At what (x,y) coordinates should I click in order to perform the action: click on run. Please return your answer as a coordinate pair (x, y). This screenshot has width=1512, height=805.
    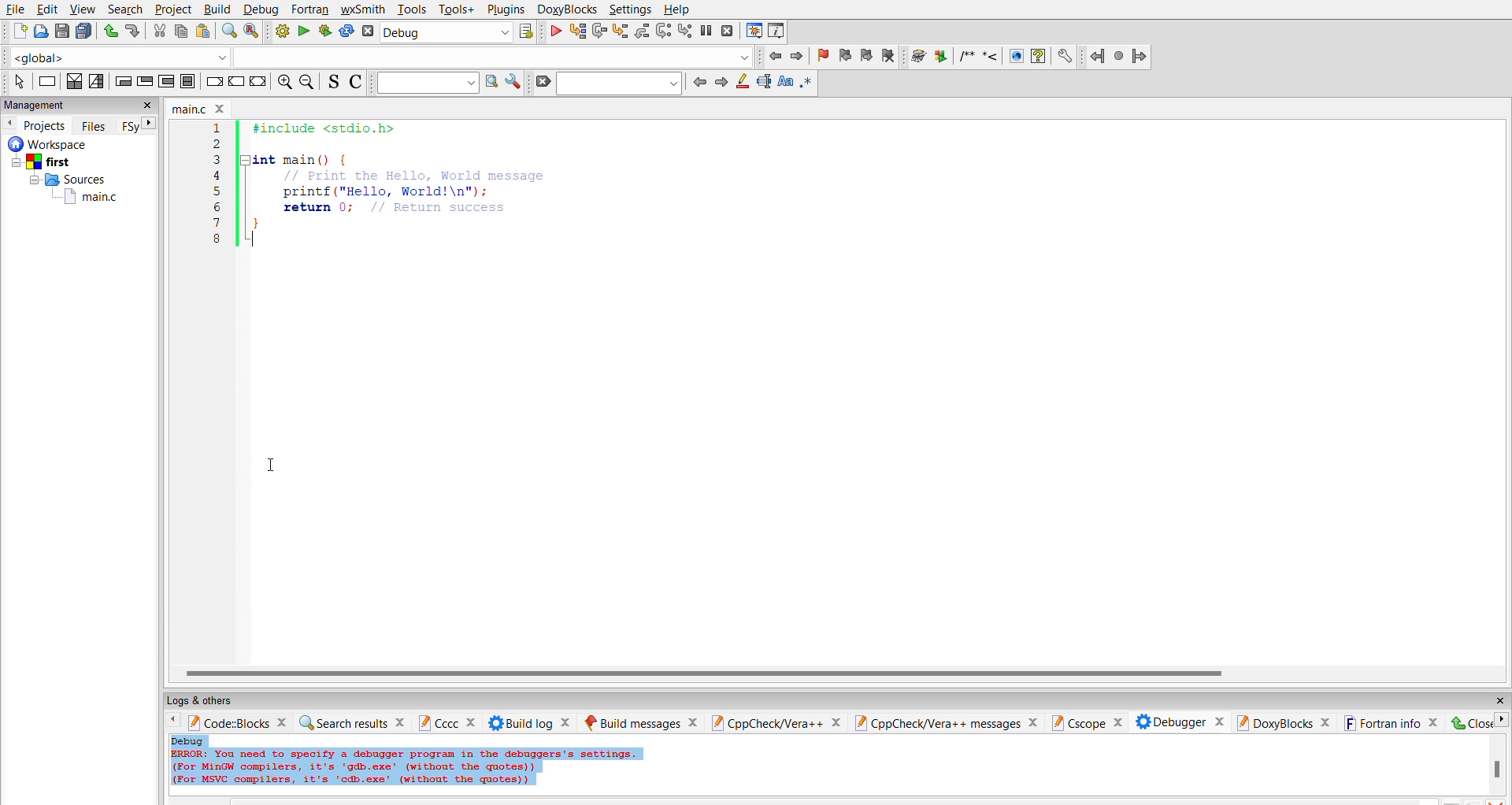
    Looking at the image, I should click on (302, 30).